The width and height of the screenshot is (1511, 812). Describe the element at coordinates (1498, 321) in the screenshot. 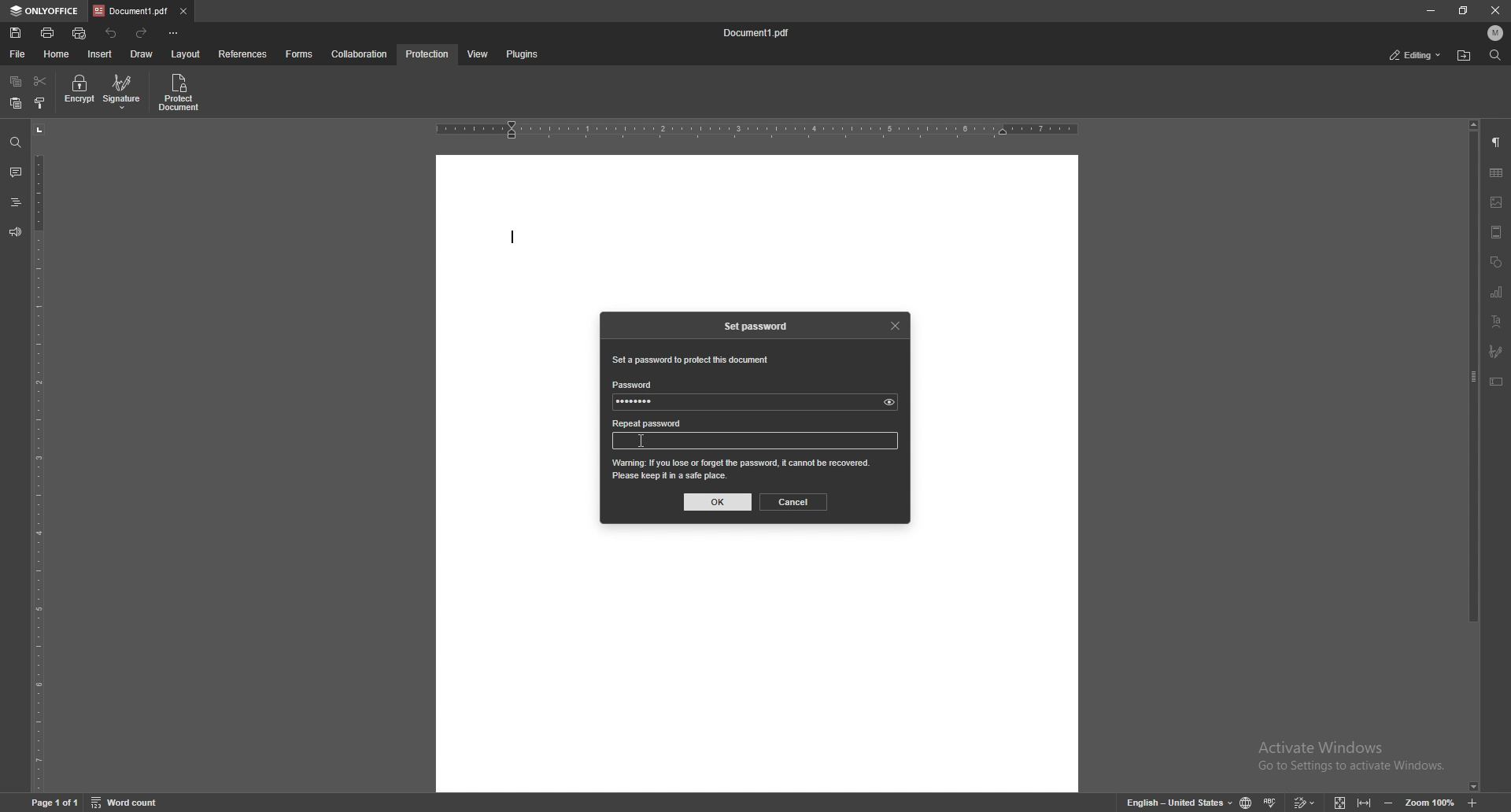

I see `text art` at that location.